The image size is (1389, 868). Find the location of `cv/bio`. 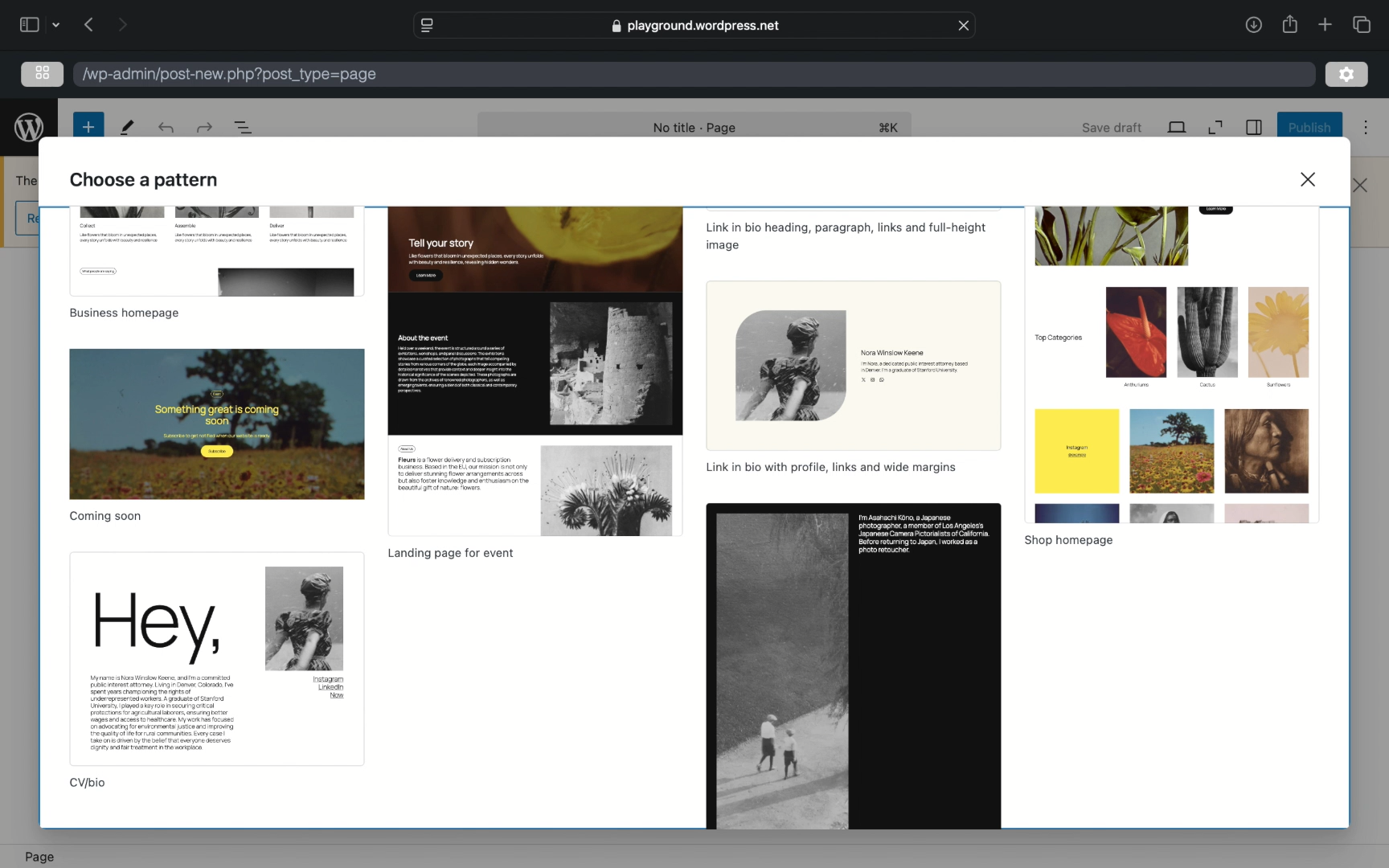

cv/bio is located at coordinates (88, 784).